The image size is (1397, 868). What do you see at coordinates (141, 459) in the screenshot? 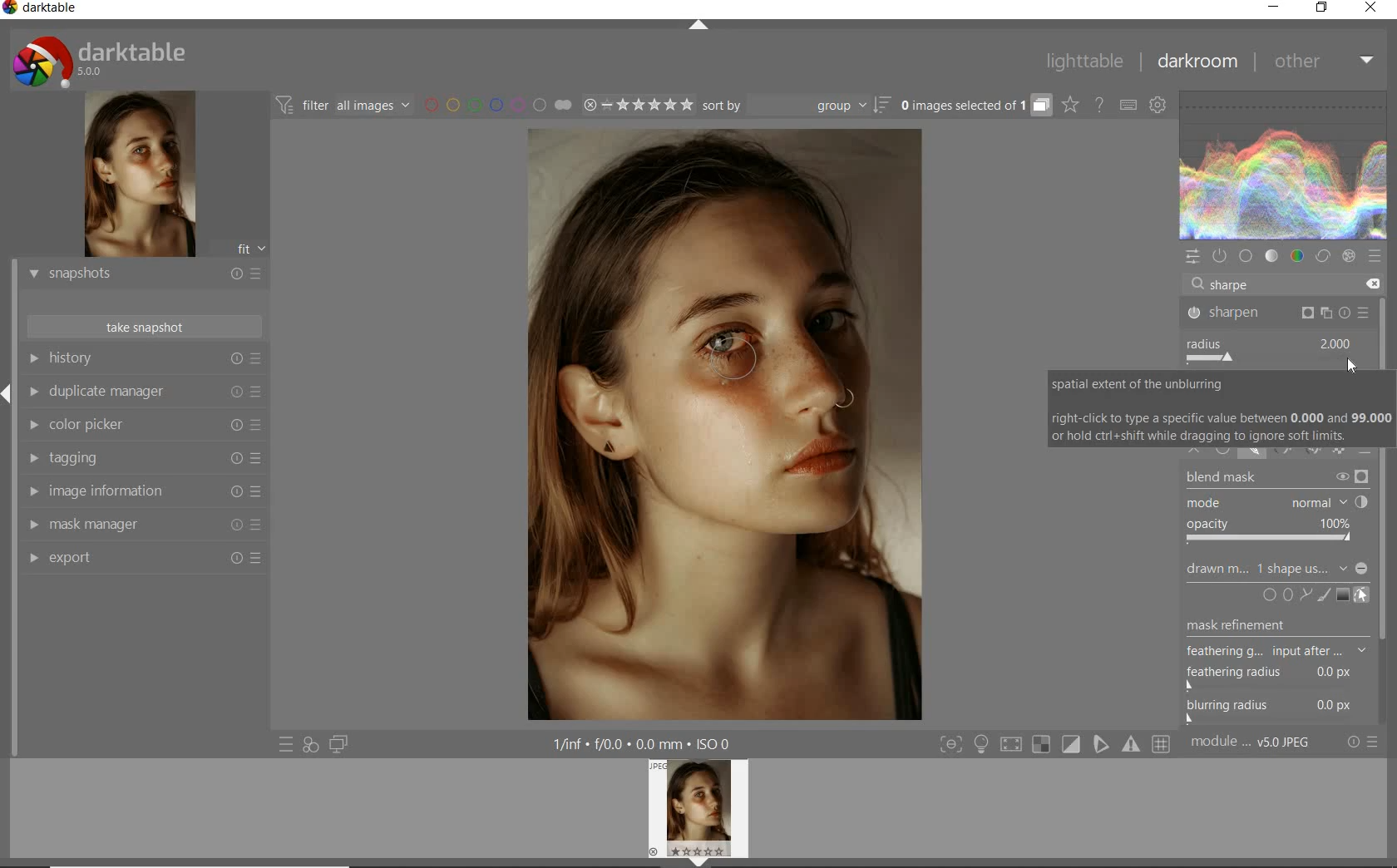
I see `tagging` at bounding box center [141, 459].